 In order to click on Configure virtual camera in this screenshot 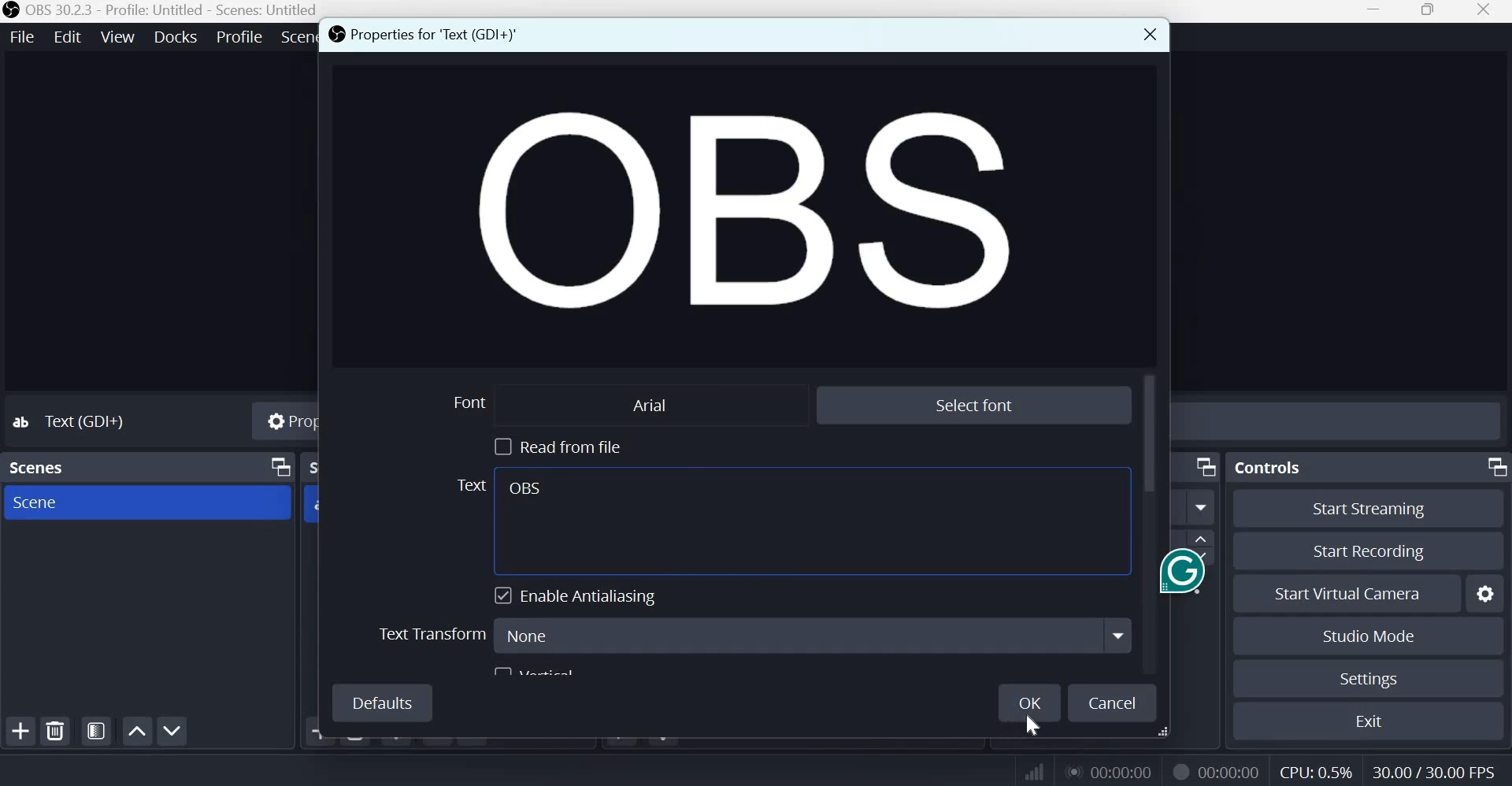, I will do `click(1485, 594)`.